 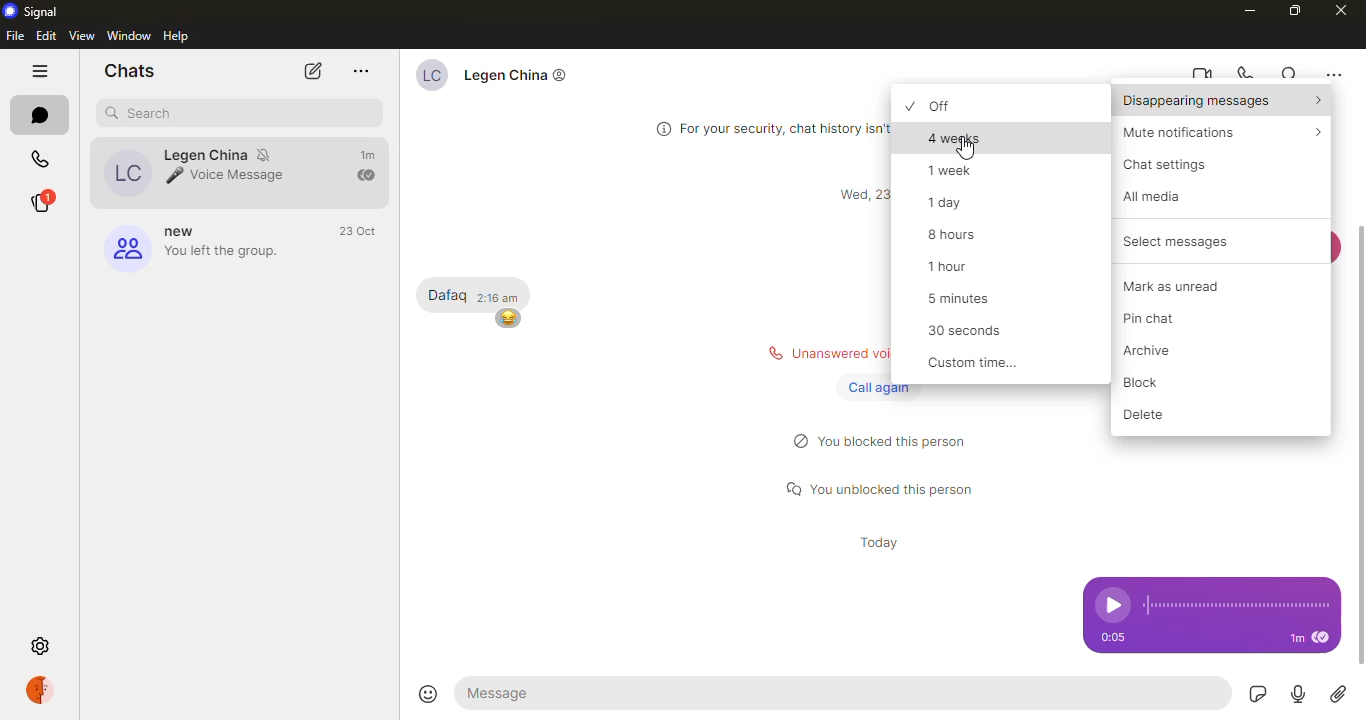 What do you see at coordinates (43, 113) in the screenshot?
I see `chats` at bounding box center [43, 113].